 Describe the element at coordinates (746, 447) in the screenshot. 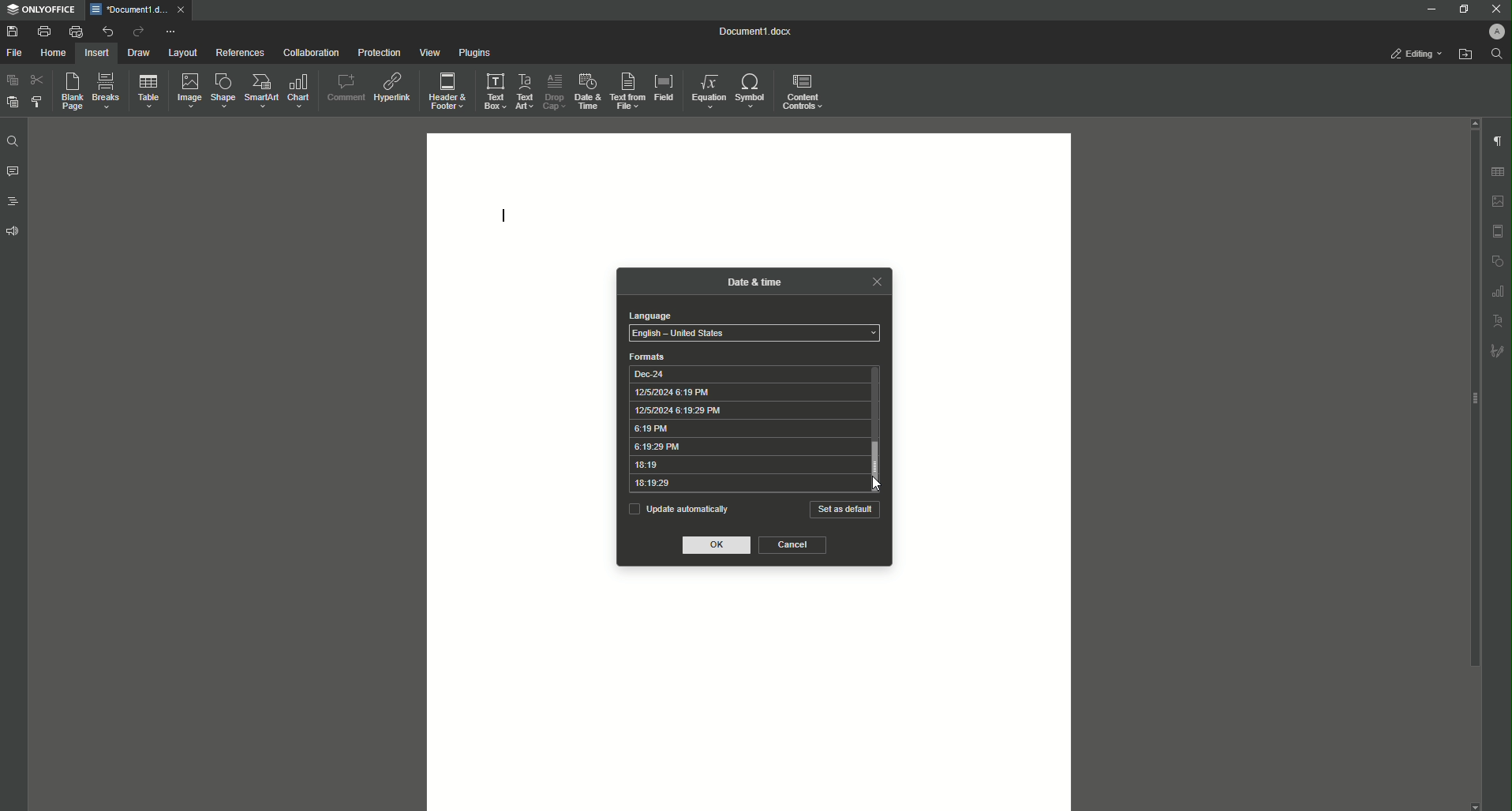

I see `6:19:29 PM` at that location.